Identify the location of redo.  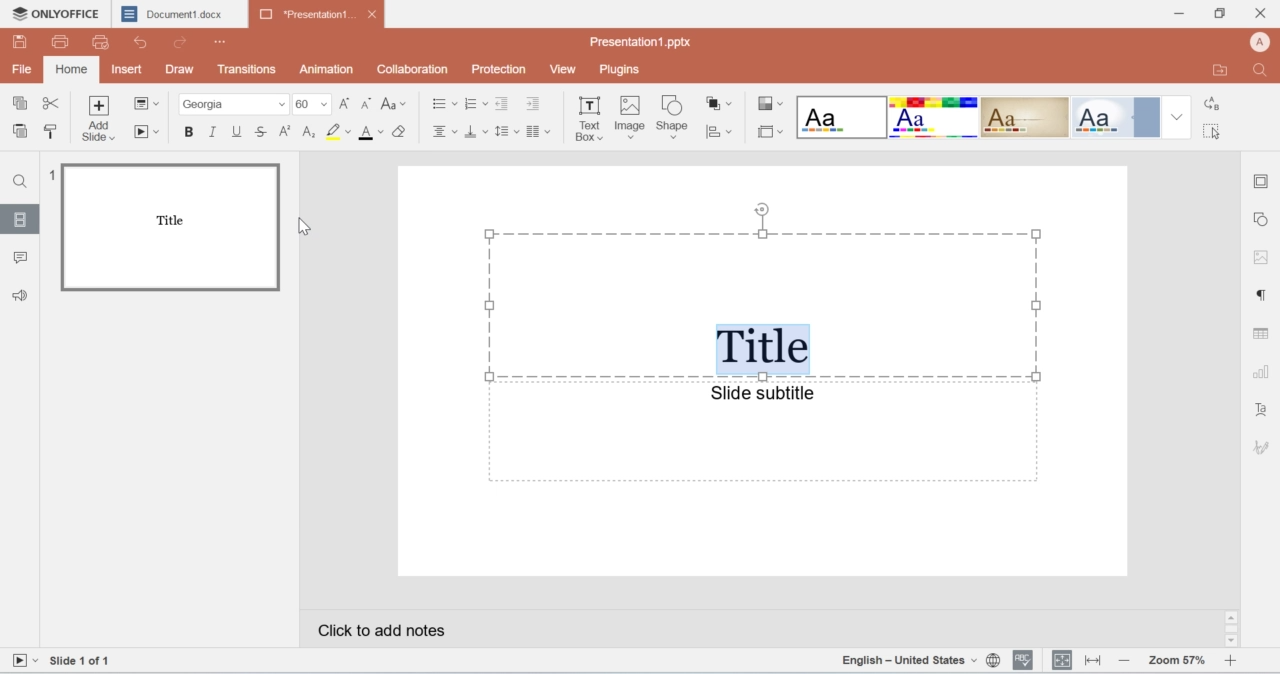
(182, 45).